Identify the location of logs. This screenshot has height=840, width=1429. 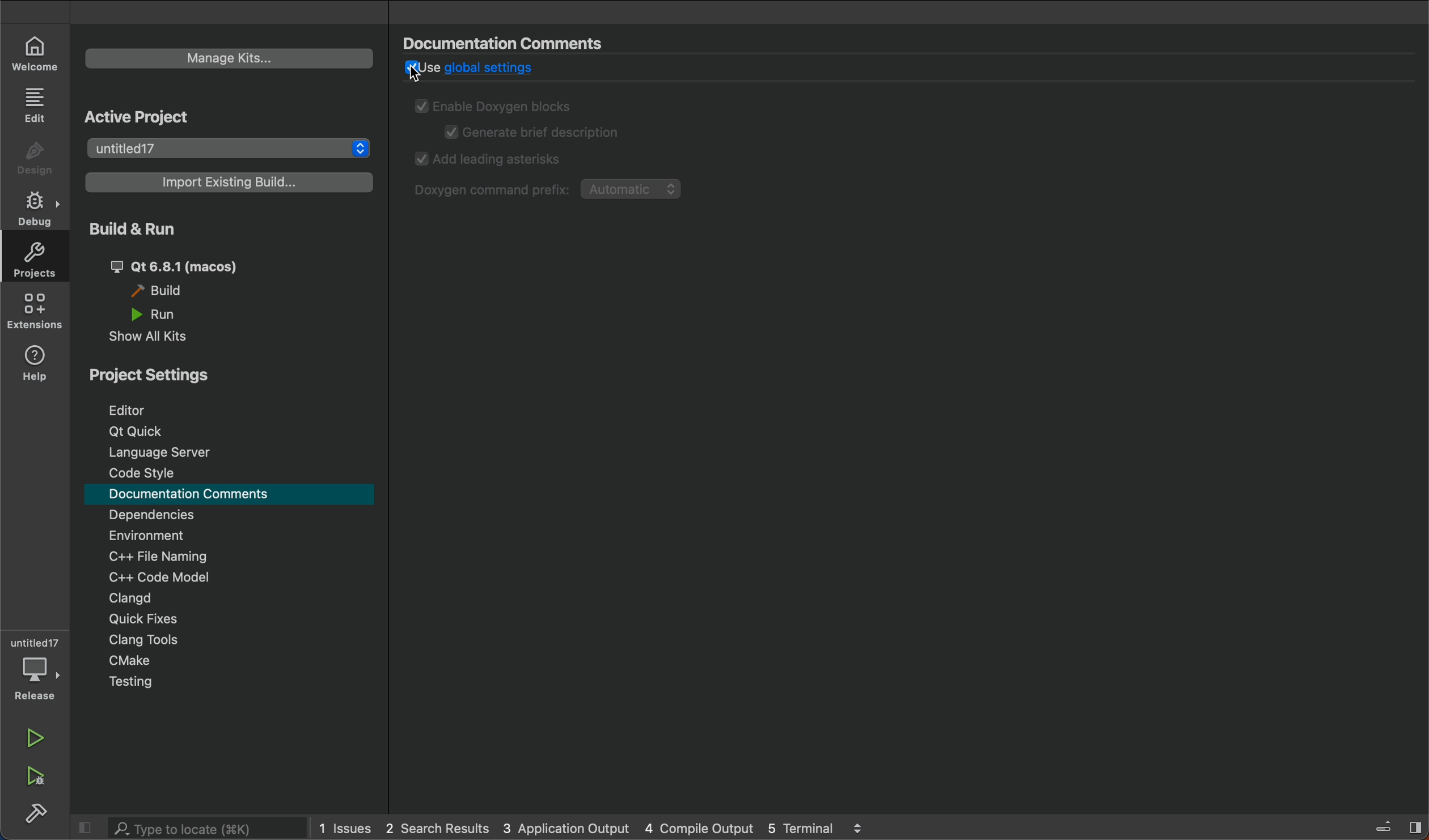
(604, 830).